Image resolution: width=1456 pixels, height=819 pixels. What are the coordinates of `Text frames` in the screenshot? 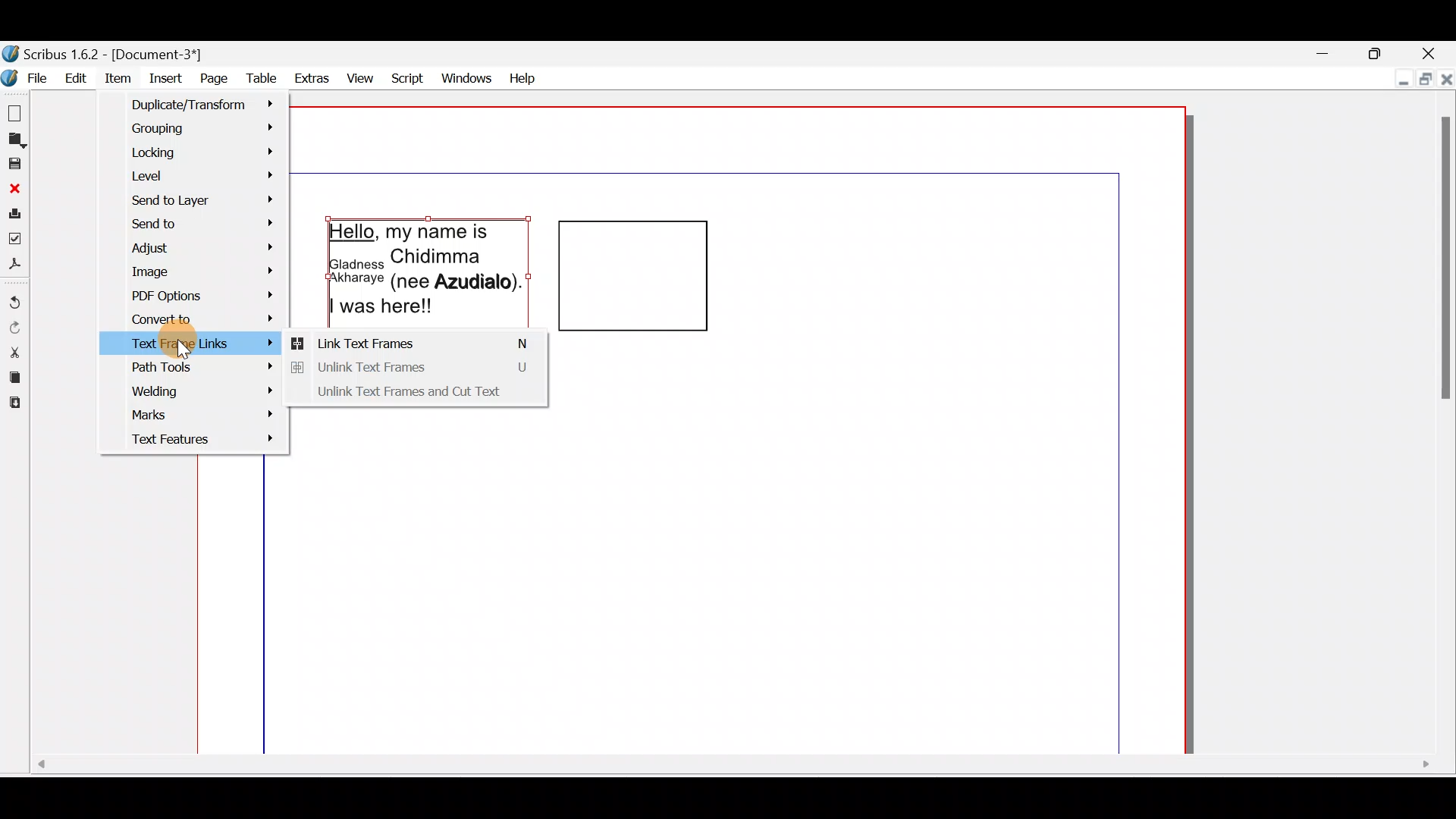 It's located at (529, 274).